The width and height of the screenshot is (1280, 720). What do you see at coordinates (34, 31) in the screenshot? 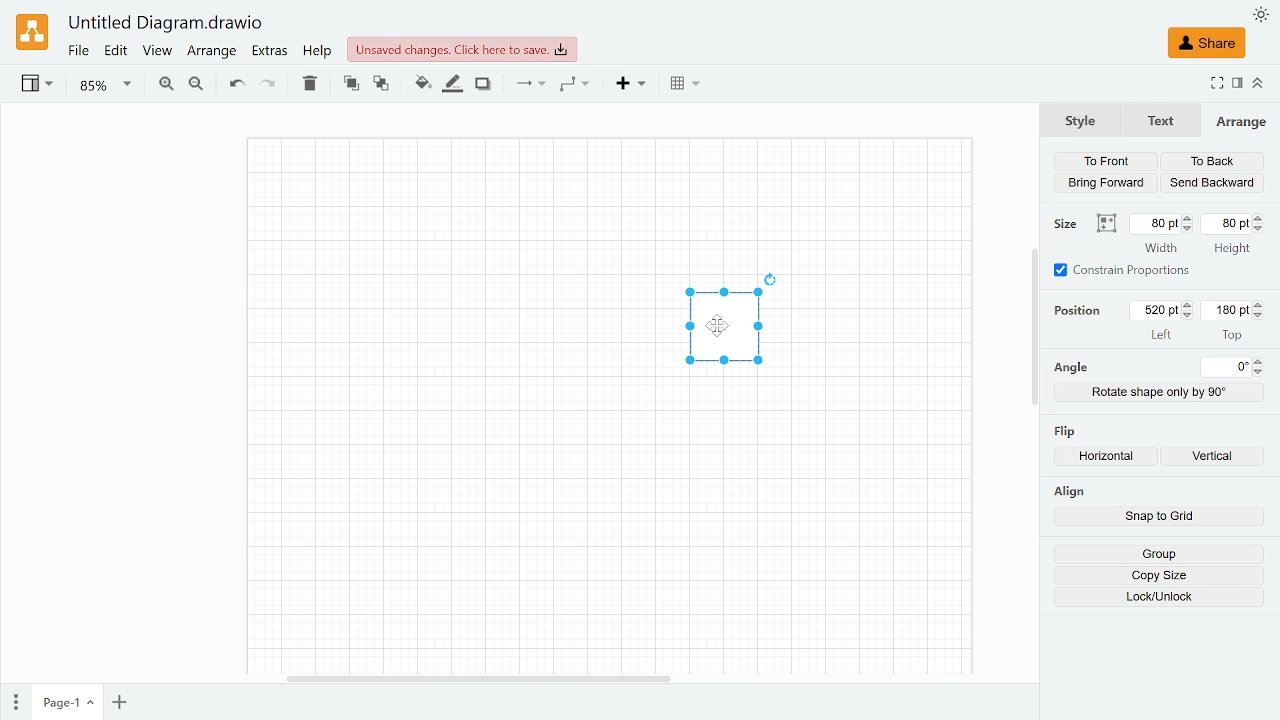
I see `Draw.io logo` at bounding box center [34, 31].